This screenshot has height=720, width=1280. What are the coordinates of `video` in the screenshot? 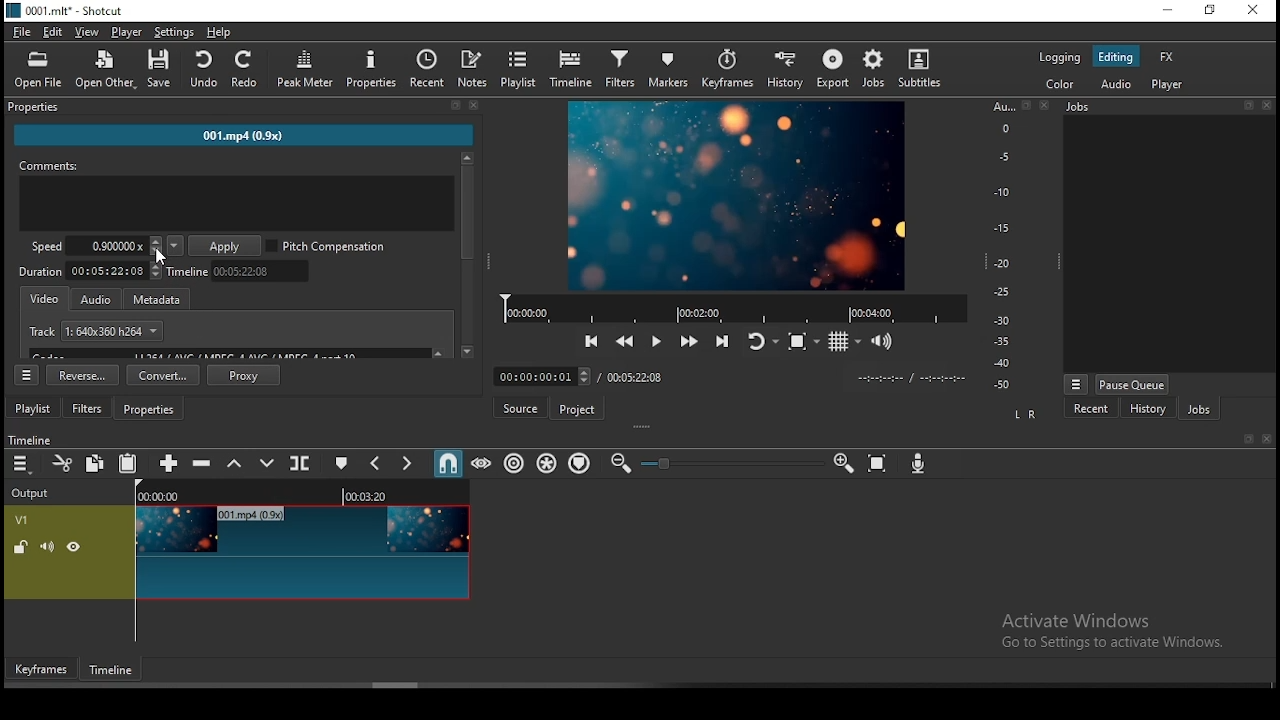 It's located at (44, 298).